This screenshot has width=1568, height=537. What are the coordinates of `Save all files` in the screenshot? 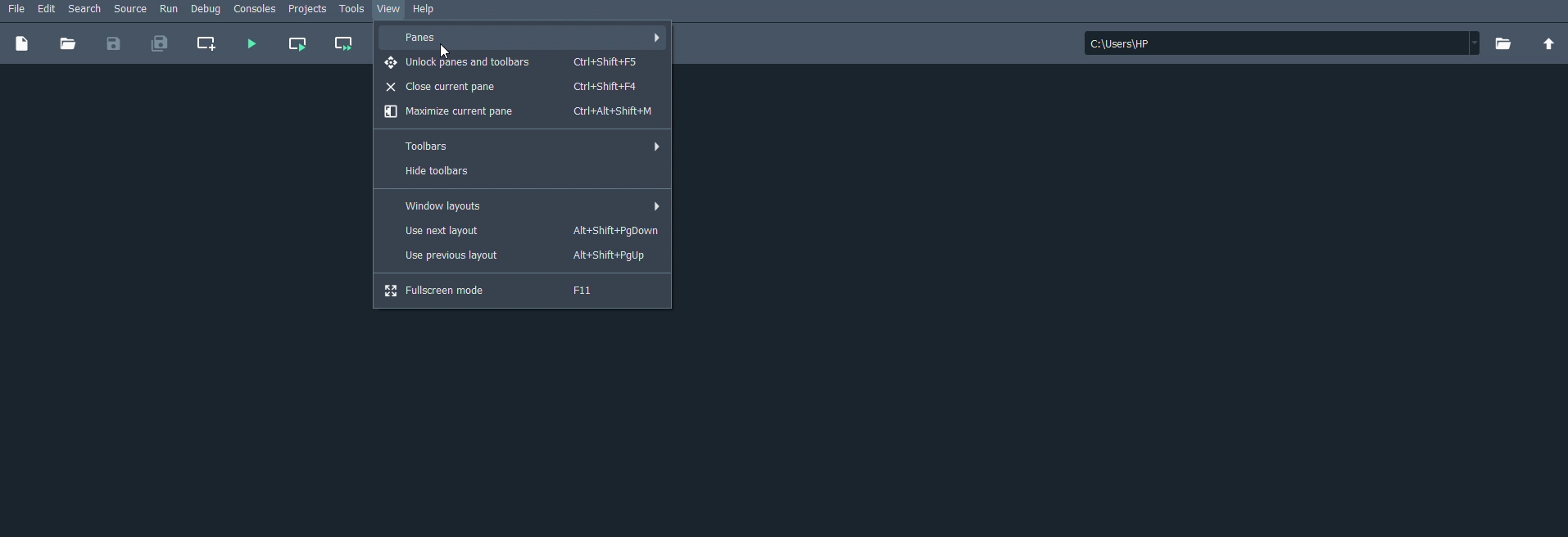 It's located at (161, 43).